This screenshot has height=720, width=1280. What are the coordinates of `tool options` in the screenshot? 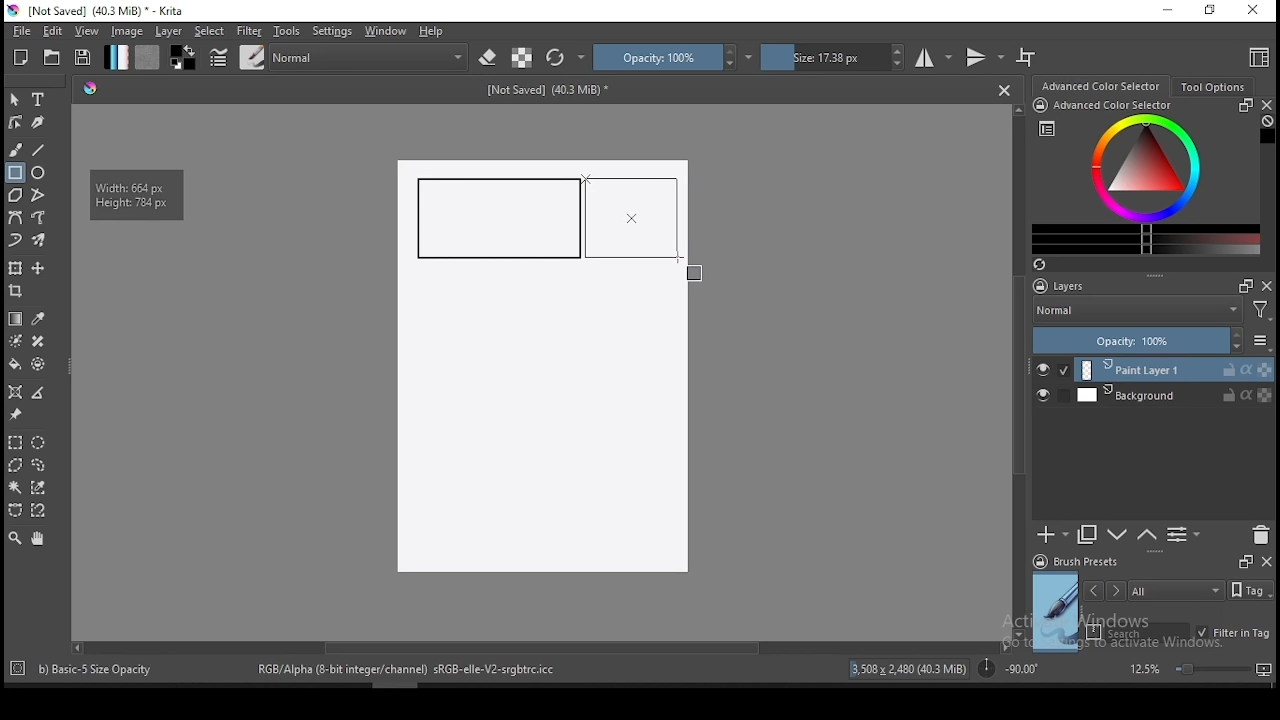 It's located at (1214, 87).